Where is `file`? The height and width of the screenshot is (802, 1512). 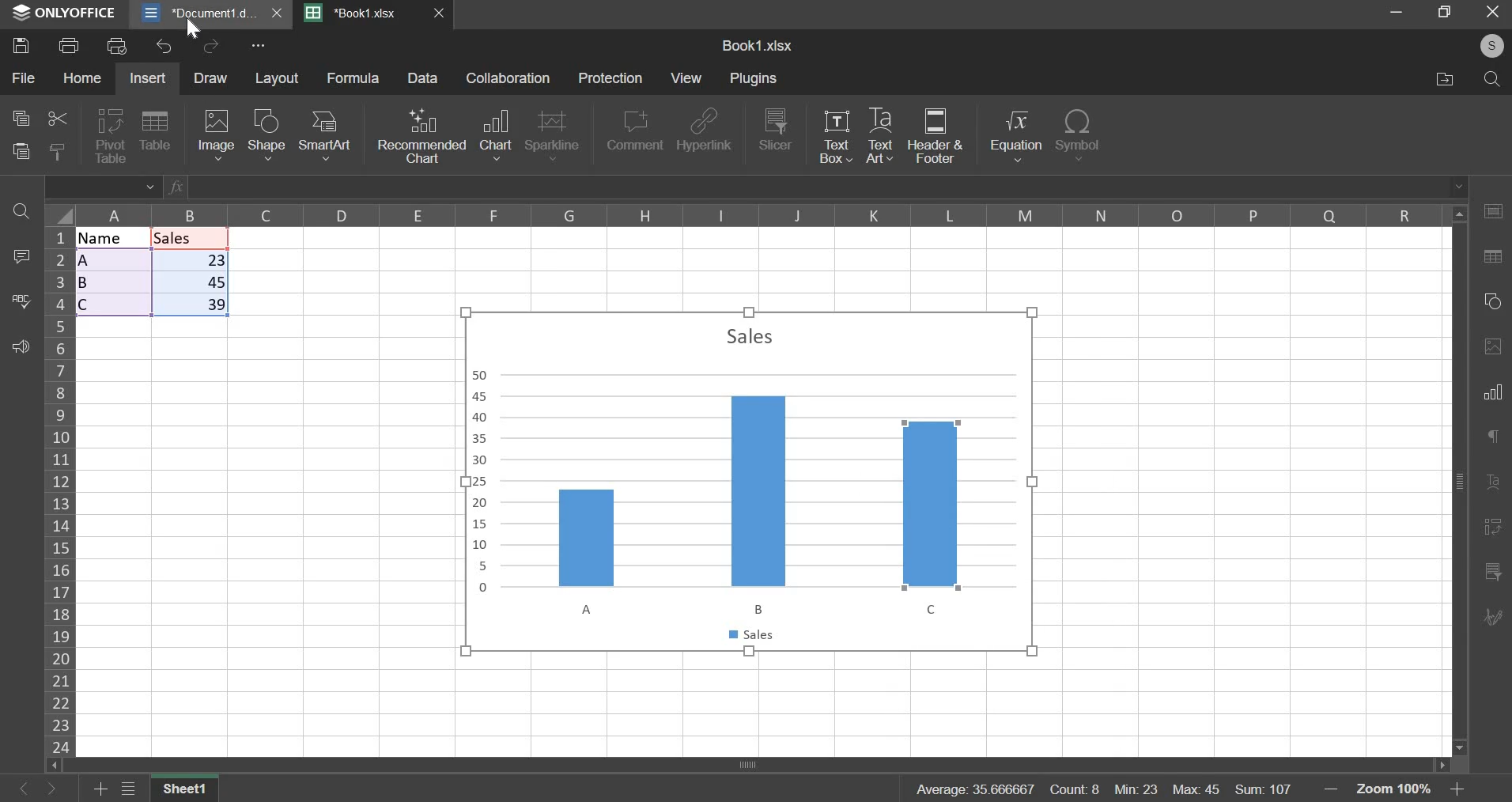 file is located at coordinates (24, 78).